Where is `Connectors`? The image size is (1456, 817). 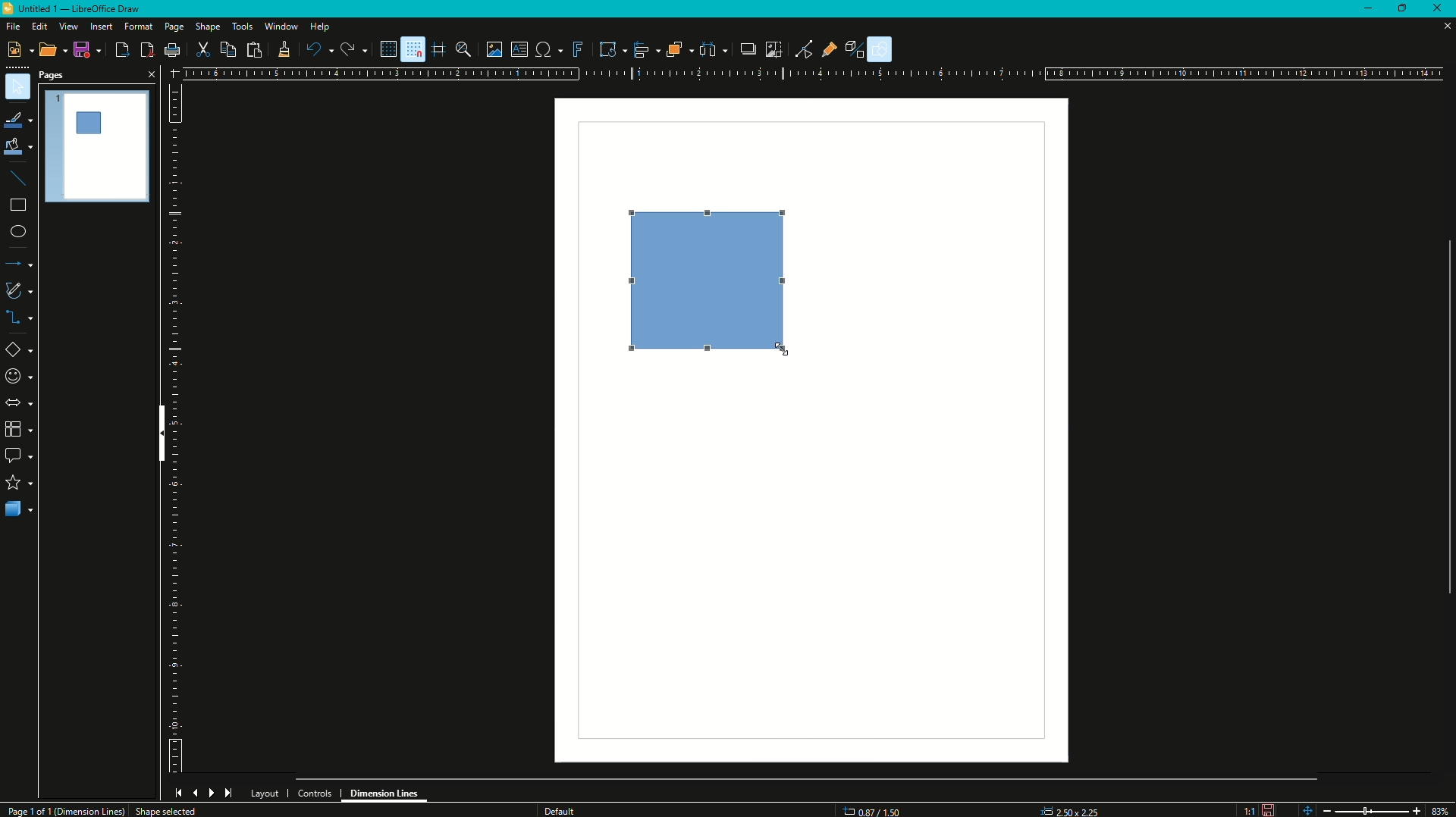 Connectors is located at coordinates (20, 319).